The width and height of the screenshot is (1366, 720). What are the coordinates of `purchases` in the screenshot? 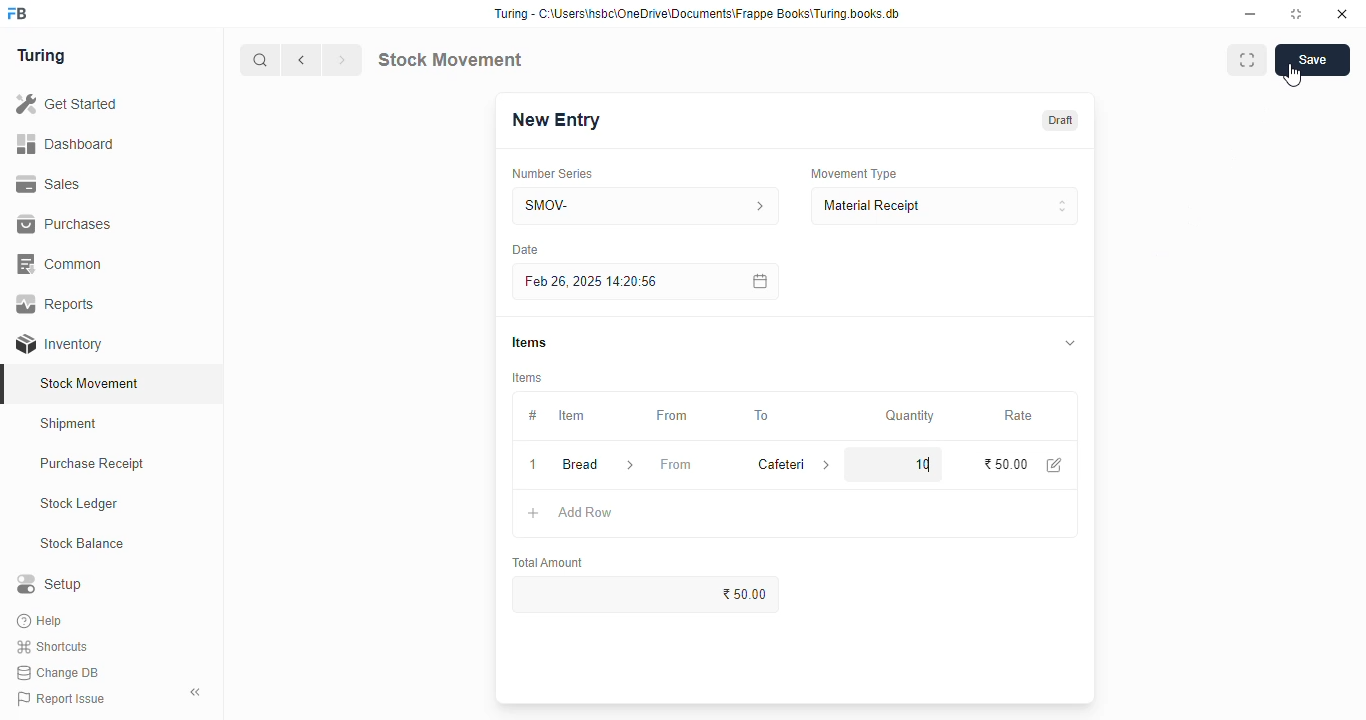 It's located at (64, 224).